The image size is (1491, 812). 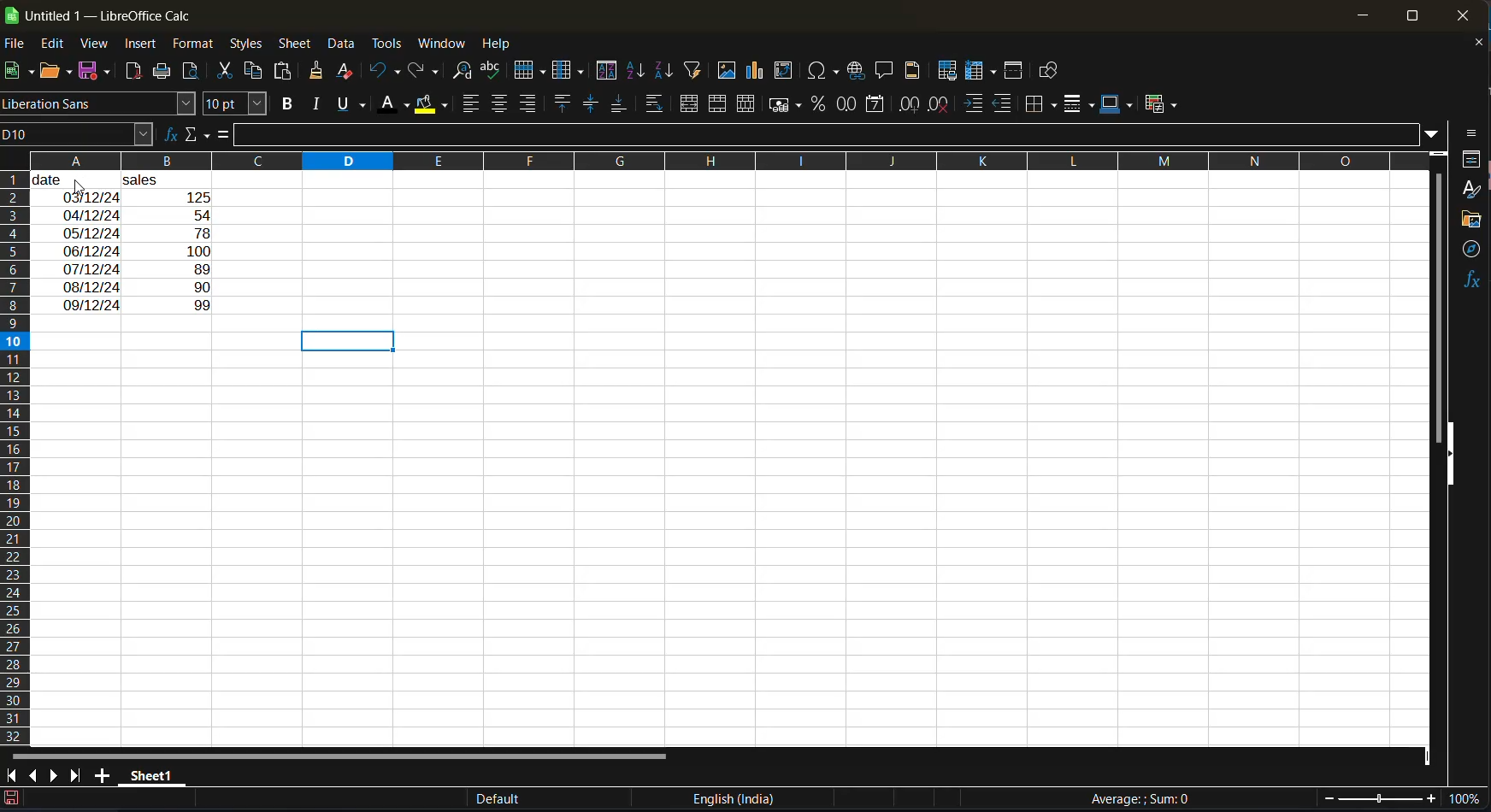 I want to click on styles, so click(x=247, y=45).